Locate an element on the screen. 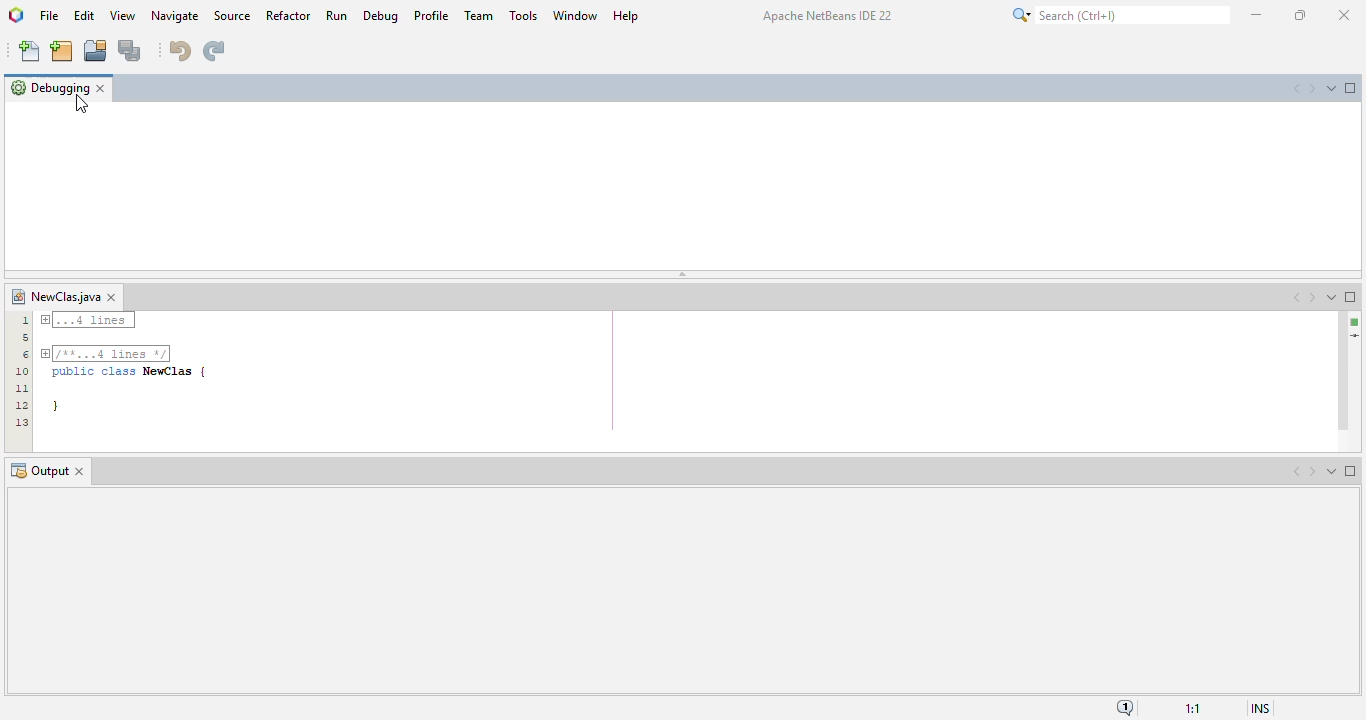 The height and width of the screenshot is (720, 1366). output window is located at coordinates (675, 590).